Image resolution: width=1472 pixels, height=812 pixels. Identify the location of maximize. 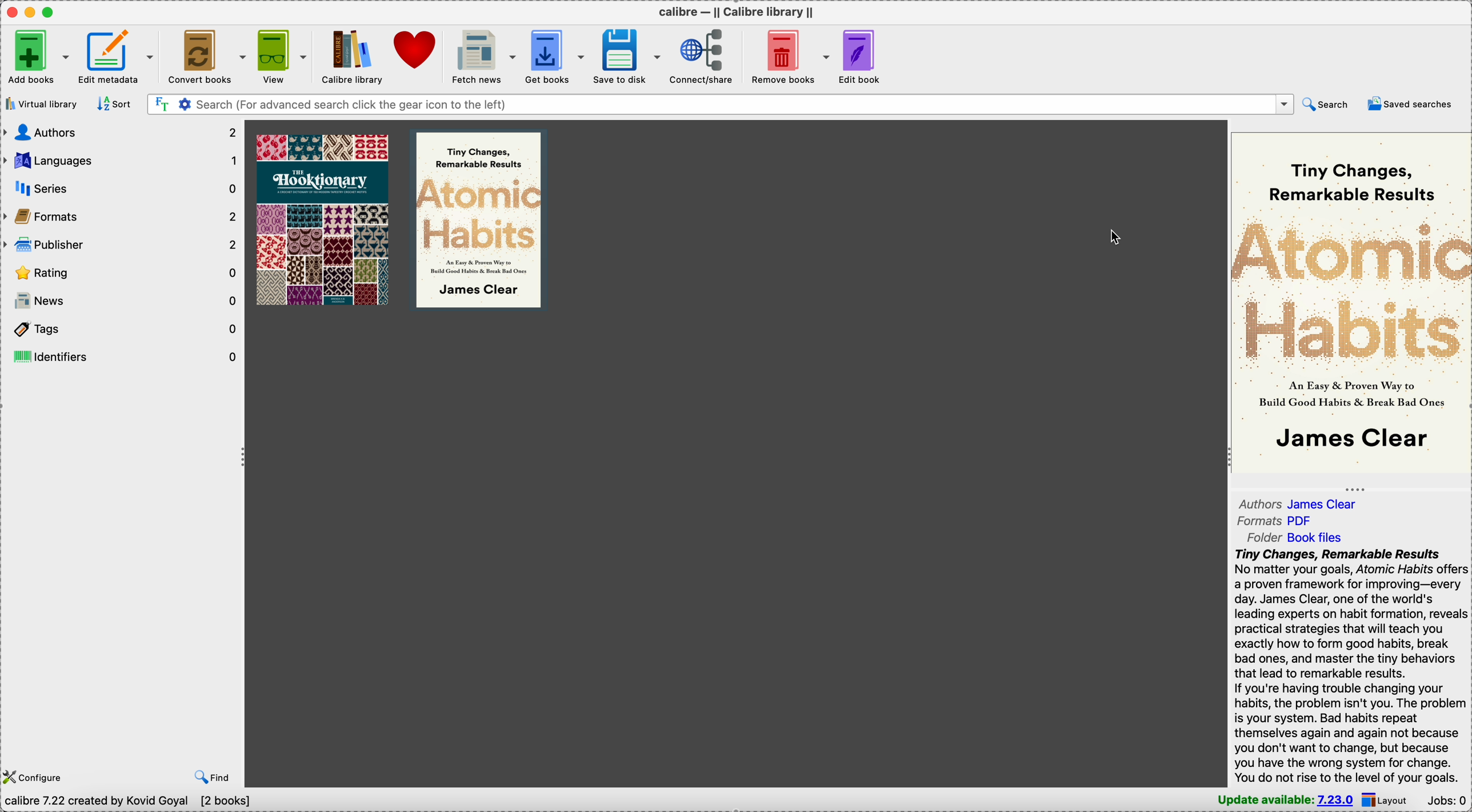
(51, 13).